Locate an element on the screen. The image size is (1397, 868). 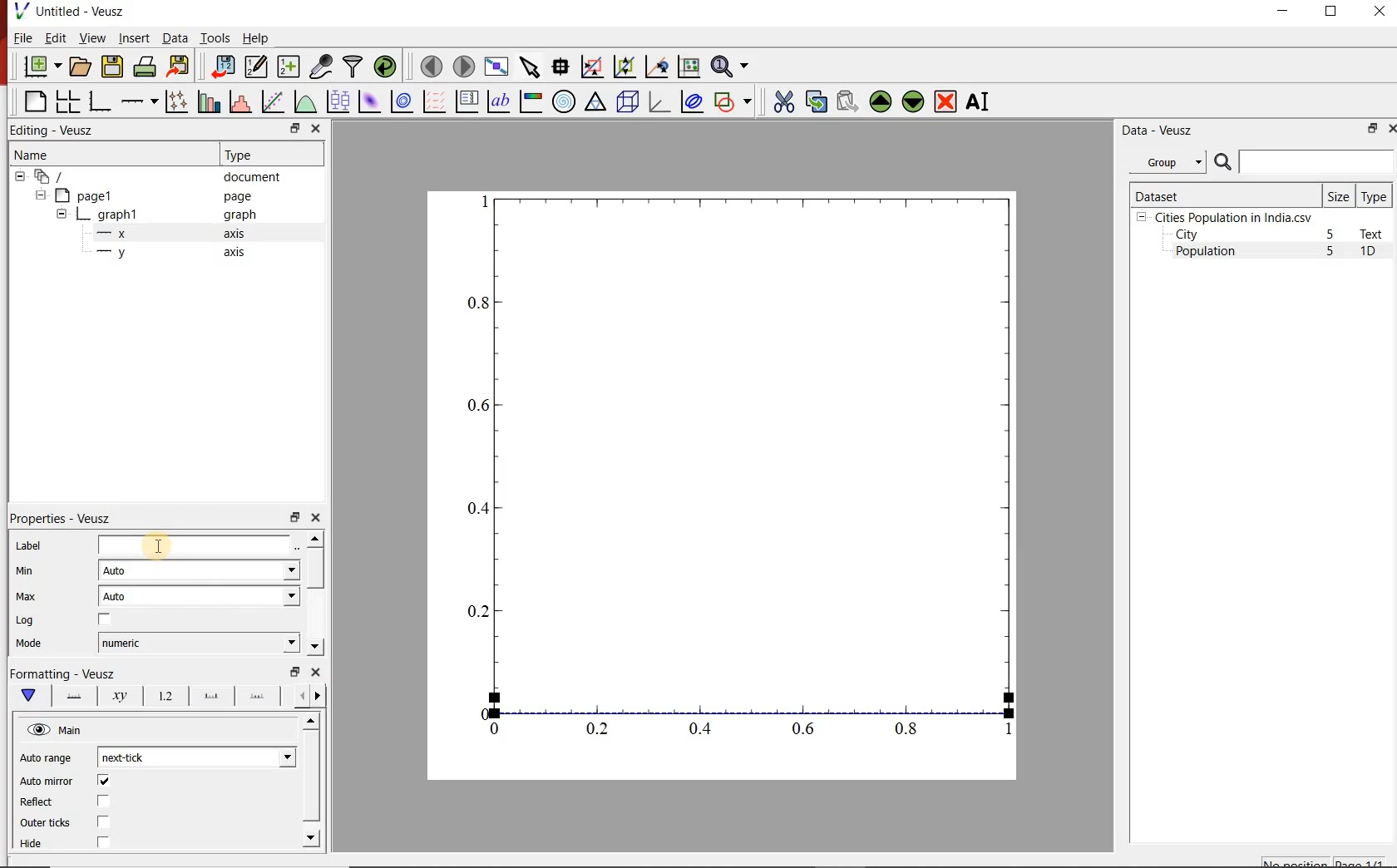
Auto mirror is located at coordinates (48, 780).